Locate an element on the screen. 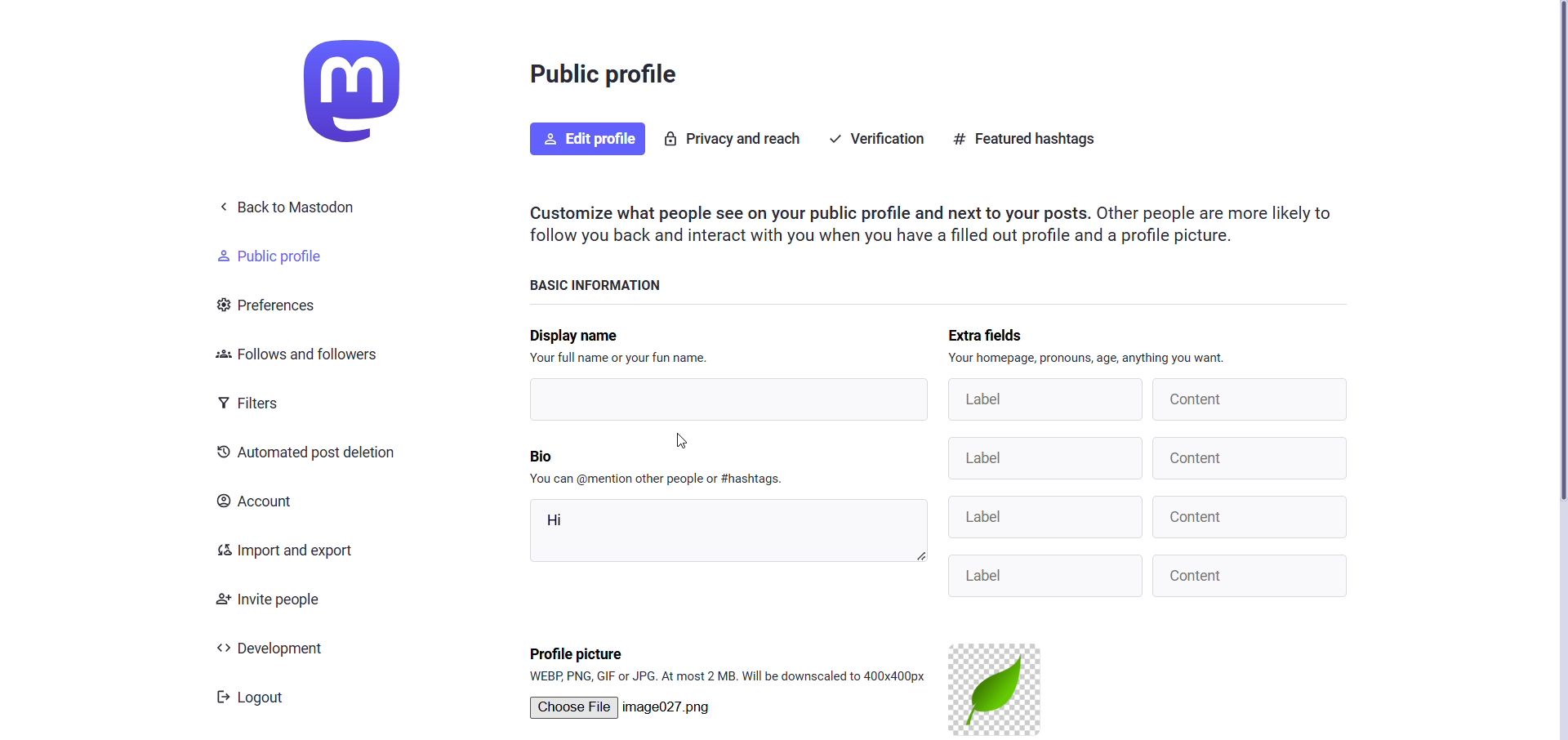 This screenshot has width=1568, height=740. invite people is located at coordinates (265, 600).